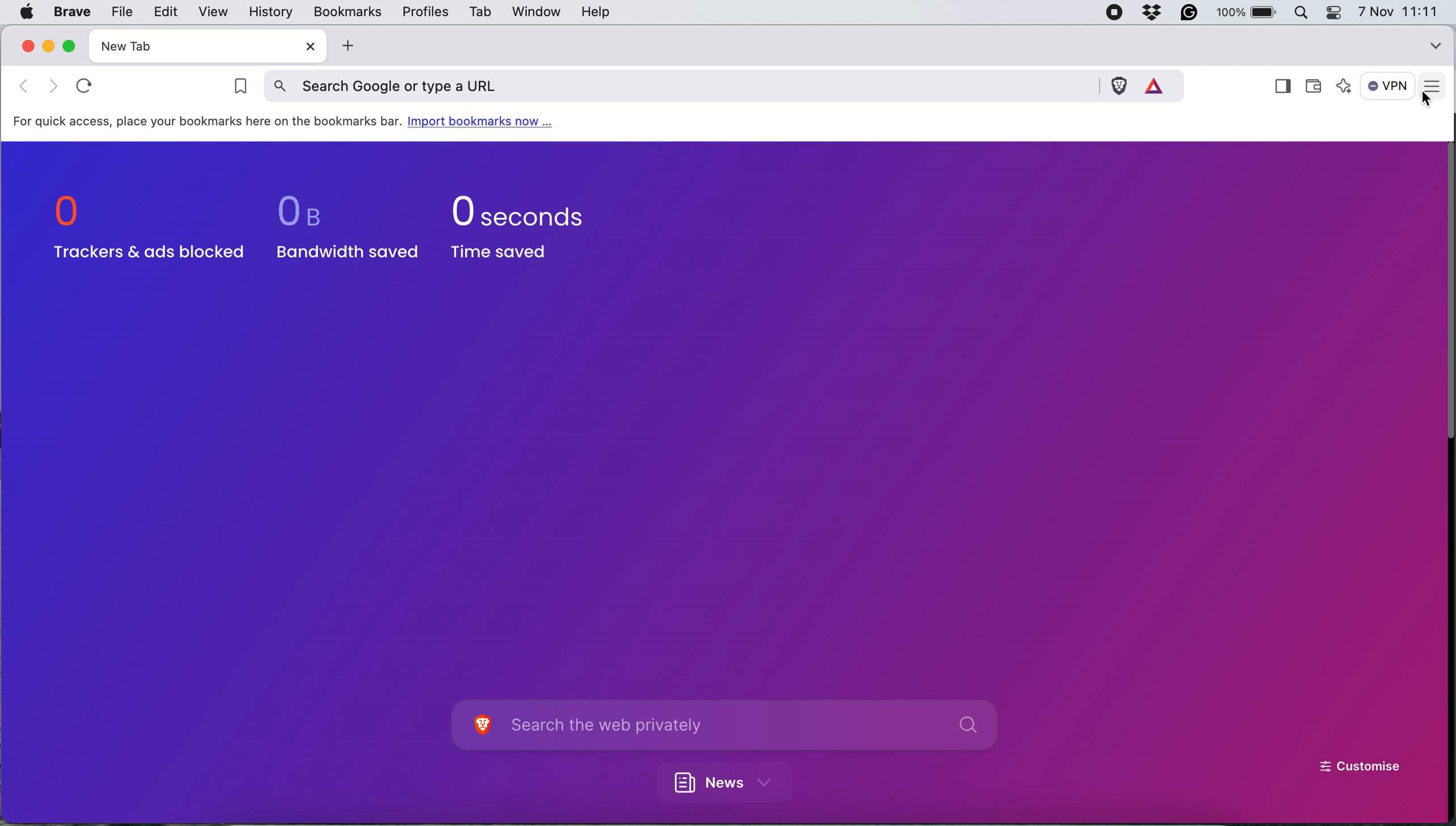  Describe the element at coordinates (1193, 13) in the screenshot. I see `grammarly` at that location.